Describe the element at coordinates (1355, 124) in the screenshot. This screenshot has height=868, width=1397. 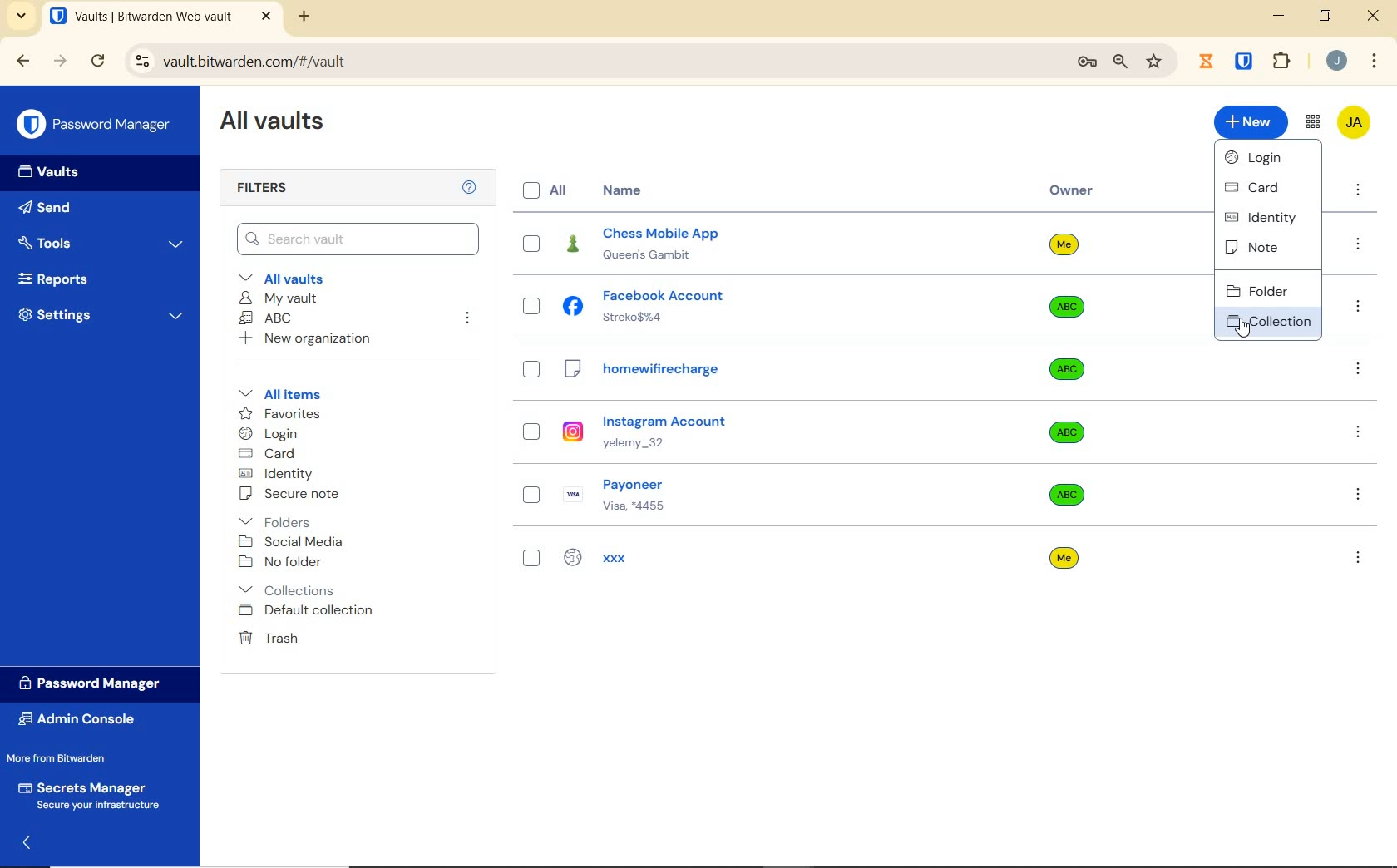
I see `Bitwarden Account` at that location.